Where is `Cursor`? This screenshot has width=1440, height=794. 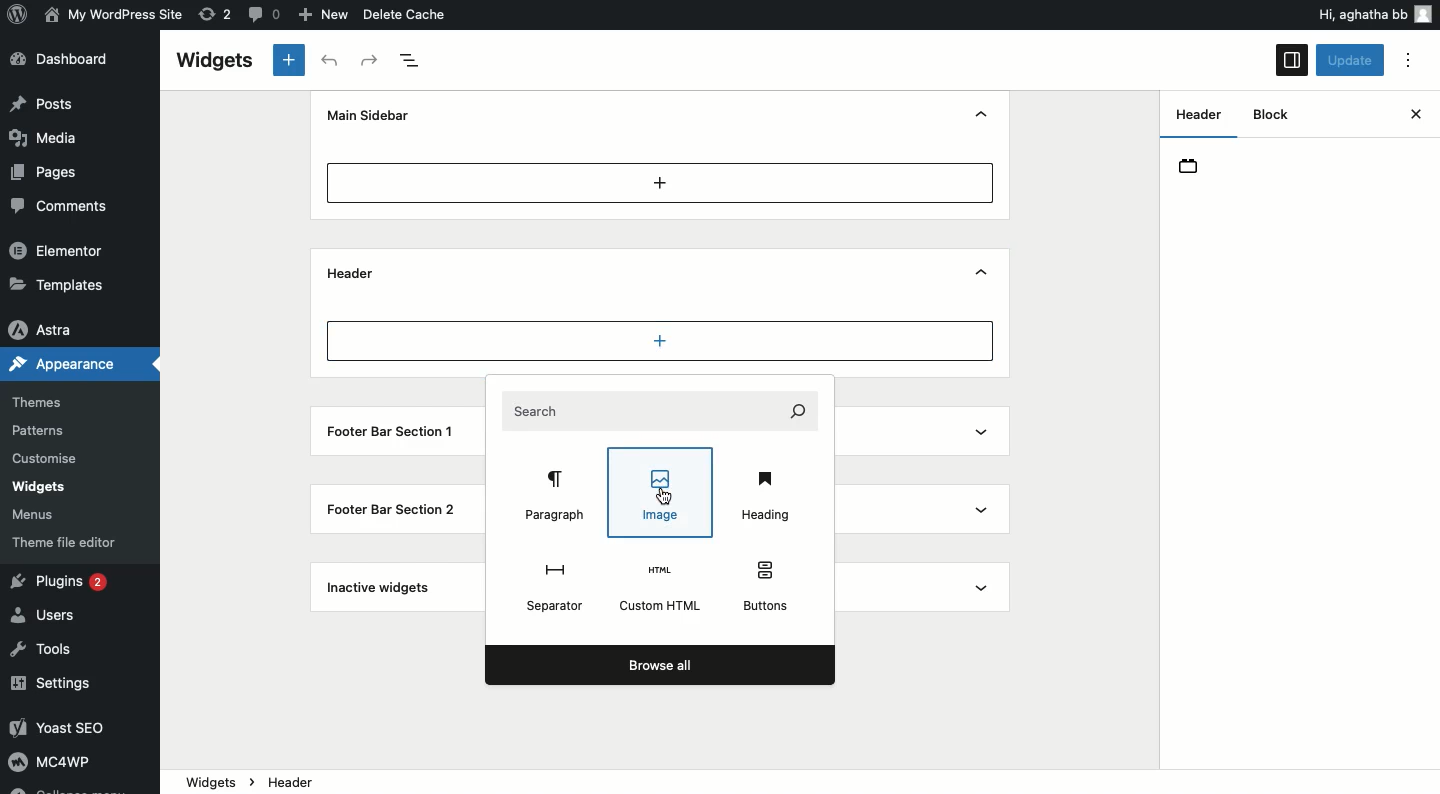 Cursor is located at coordinates (664, 495).